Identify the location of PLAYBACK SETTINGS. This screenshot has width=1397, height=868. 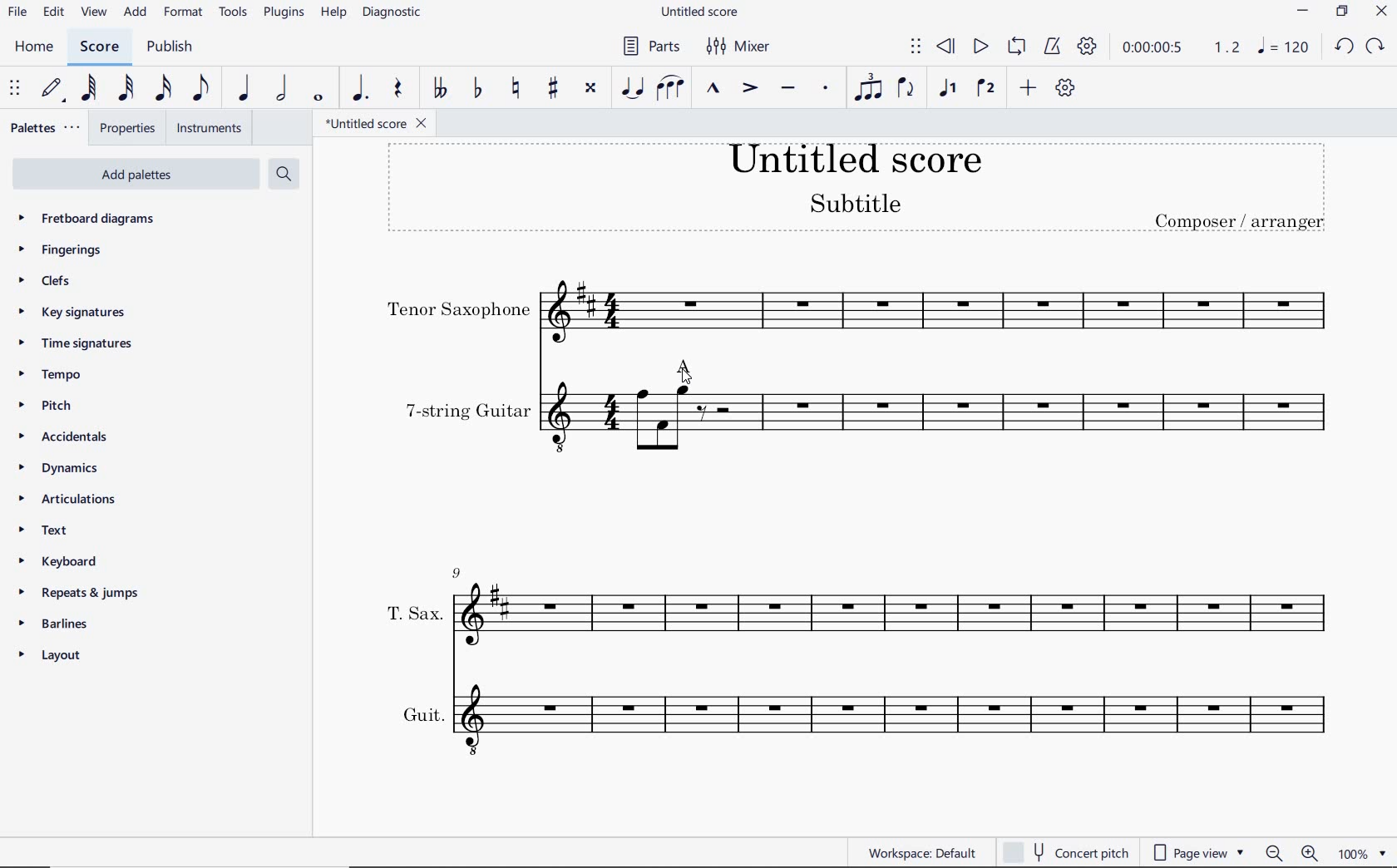
(1090, 47).